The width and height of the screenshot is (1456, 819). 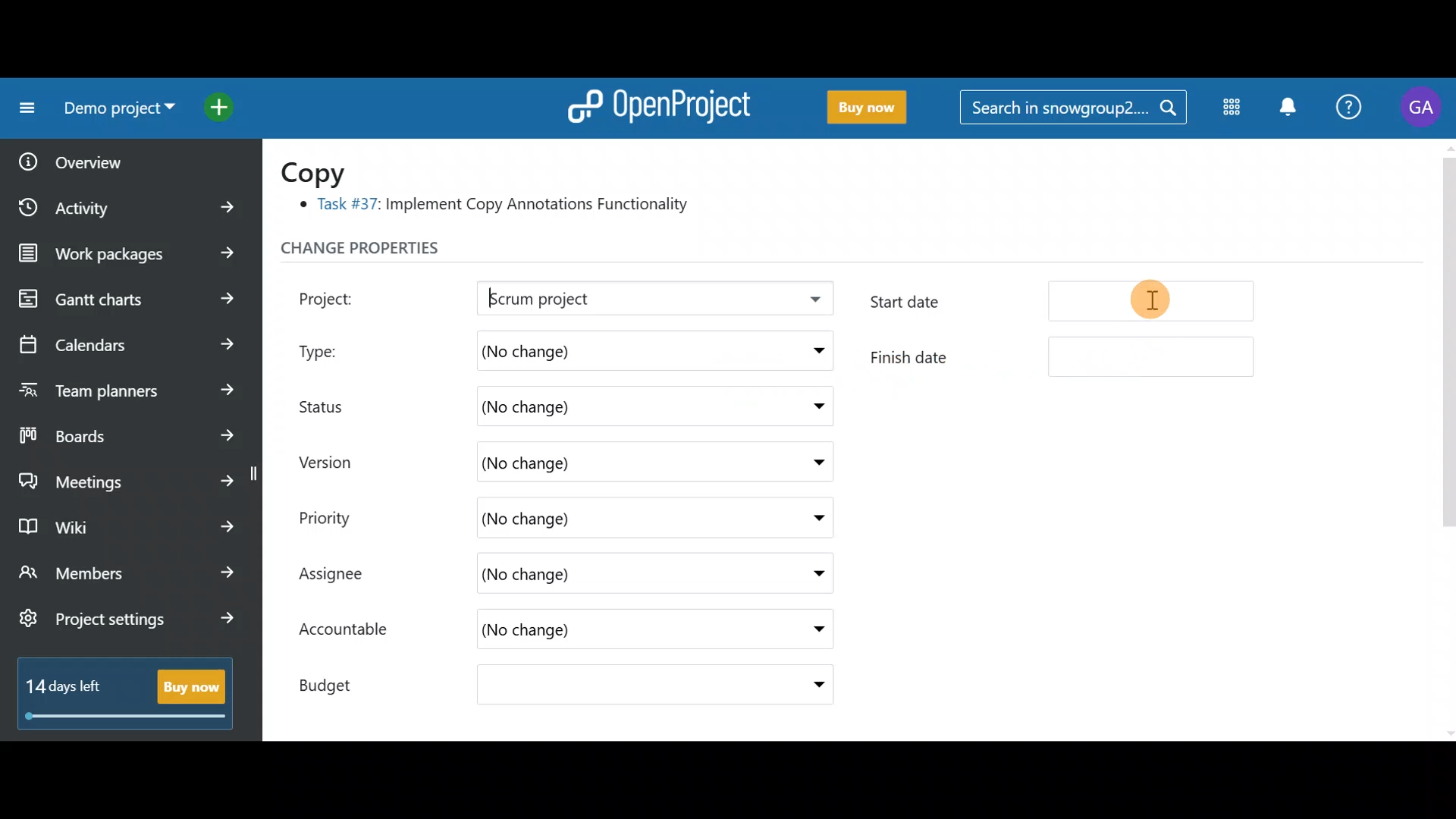 What do you see at coordinates (811, 630) in the screenshot?
I see `Accountable drop down` at bounding box center [811, 630].